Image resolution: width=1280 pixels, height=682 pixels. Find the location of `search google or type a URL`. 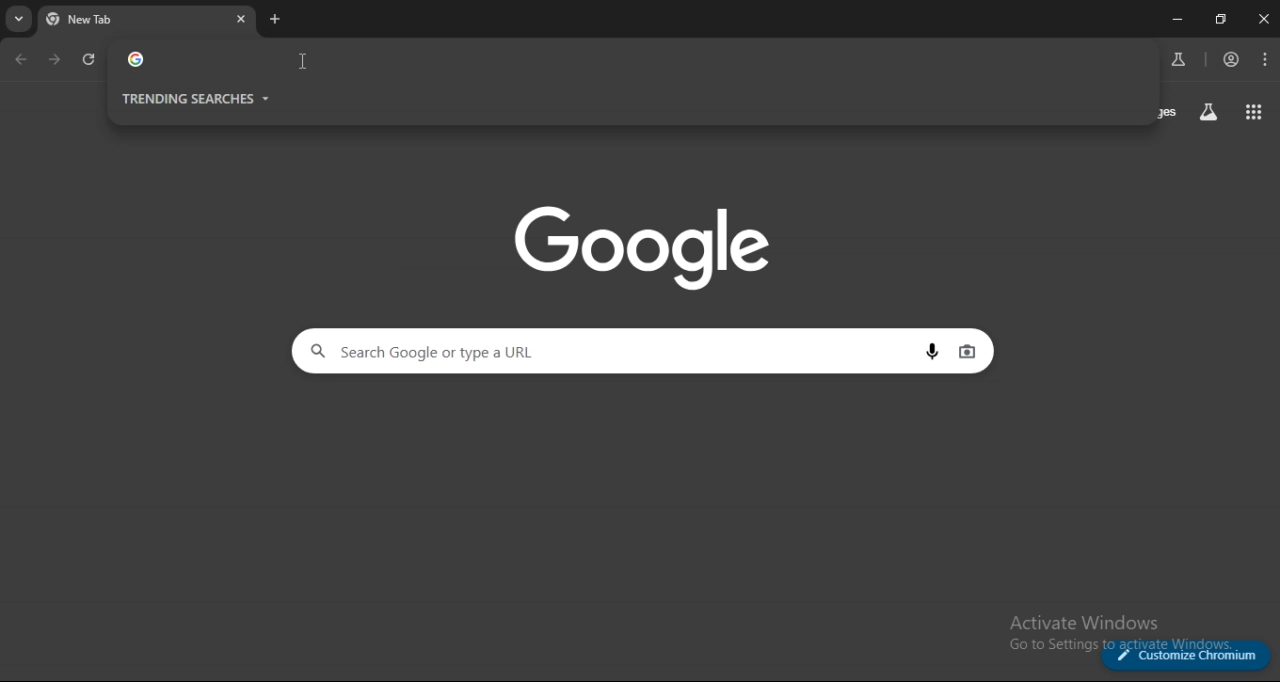

search google or type a URL is located at coordinates (614, 60).